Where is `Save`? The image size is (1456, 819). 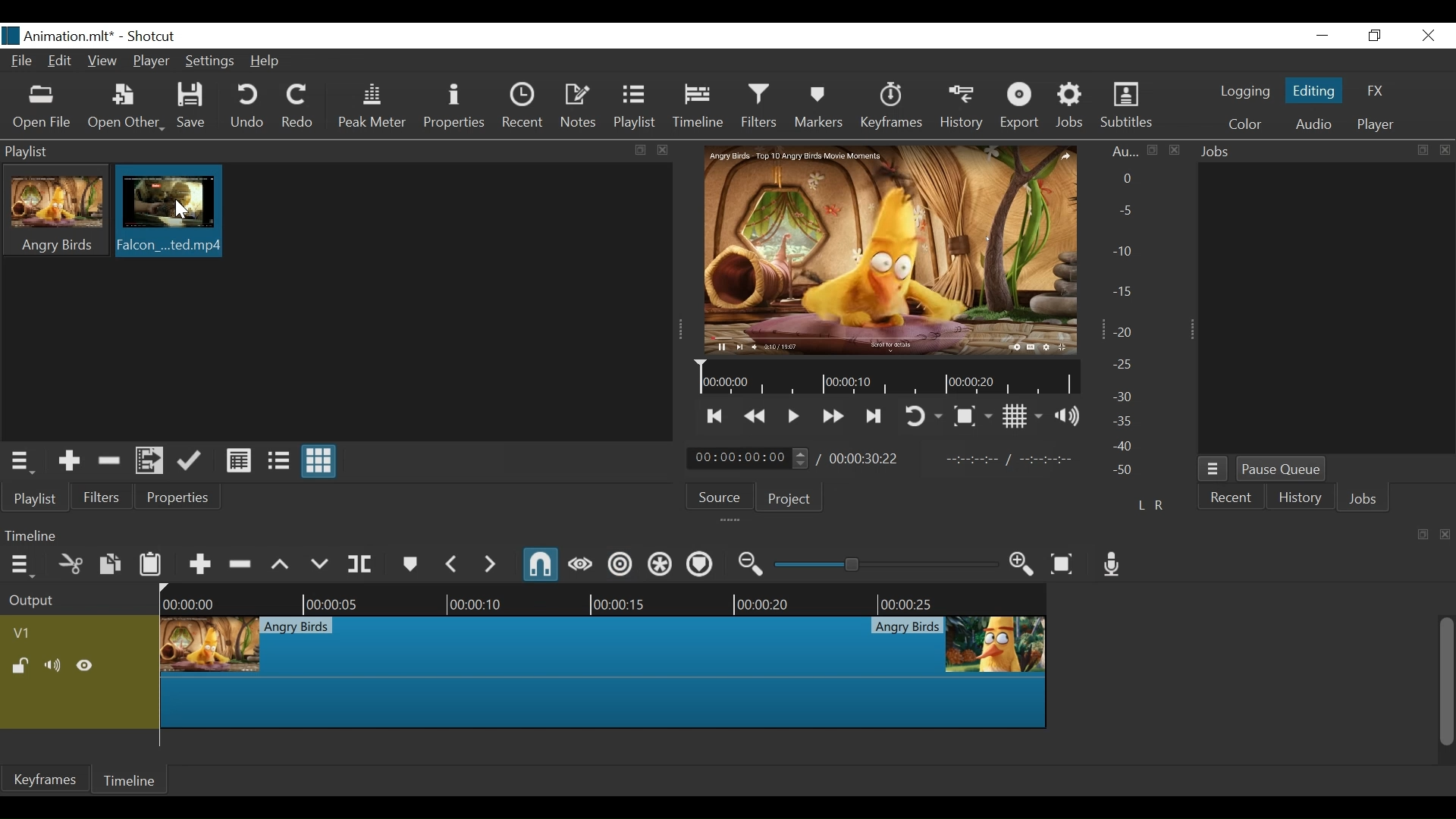
Save is located at coordinates (193, 106).